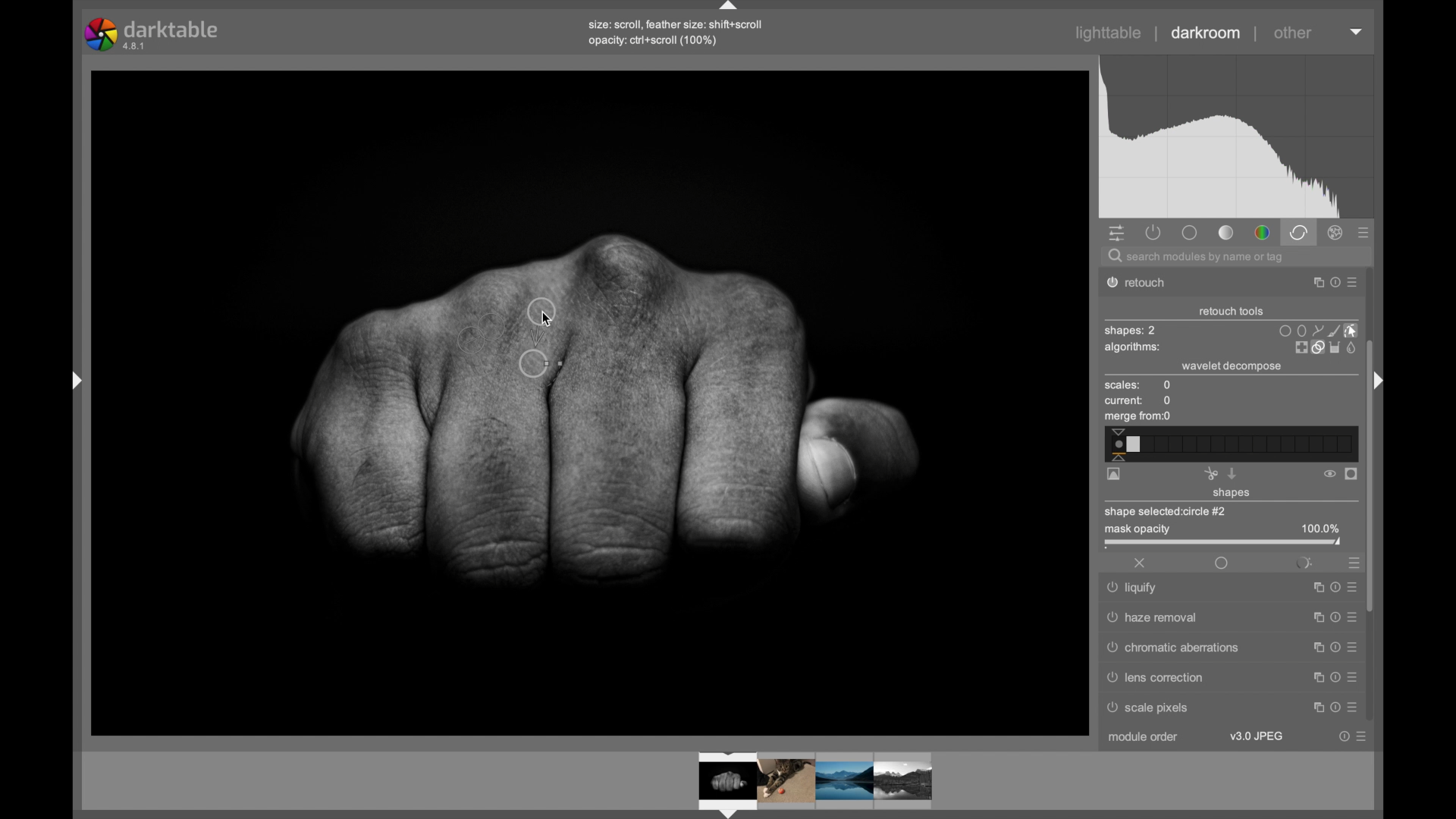  Describe the element at coordinates (1332, 617) in the screenshot. I see `help` at that location.